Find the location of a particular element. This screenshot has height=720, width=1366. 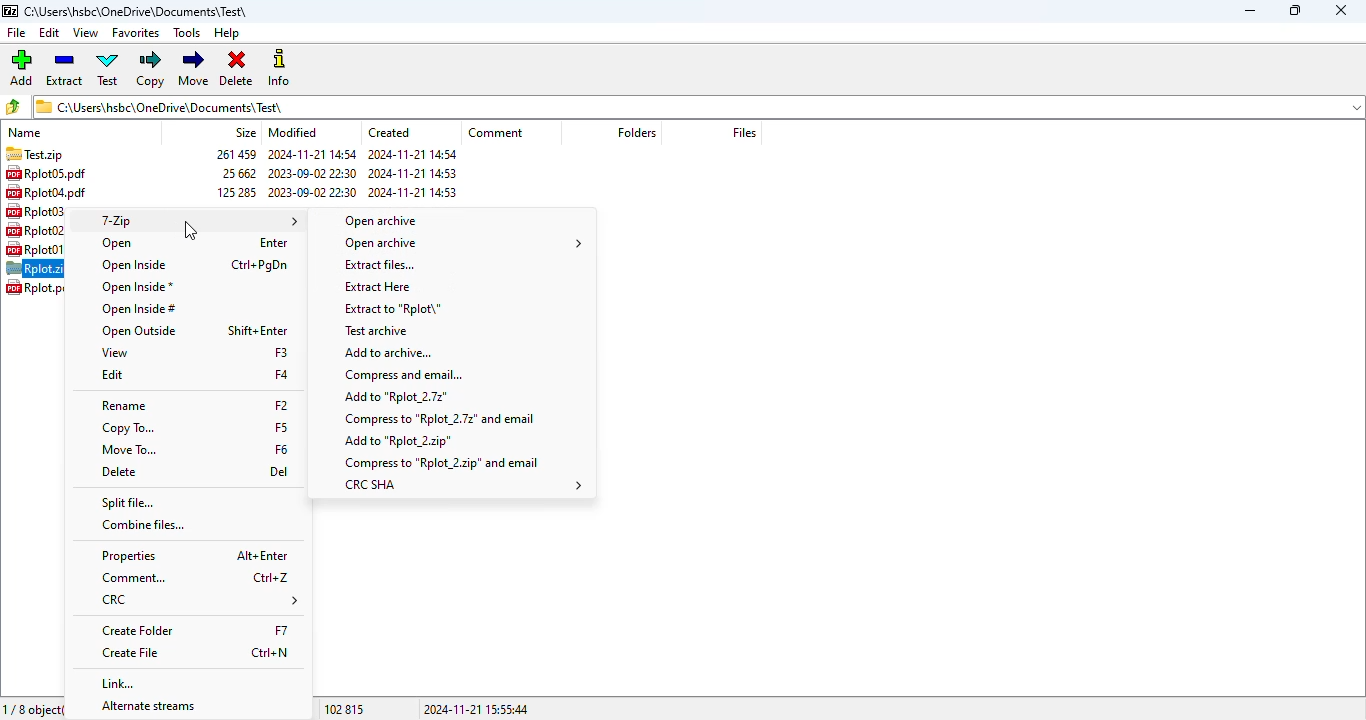

help is located at coordinates (227, 33).